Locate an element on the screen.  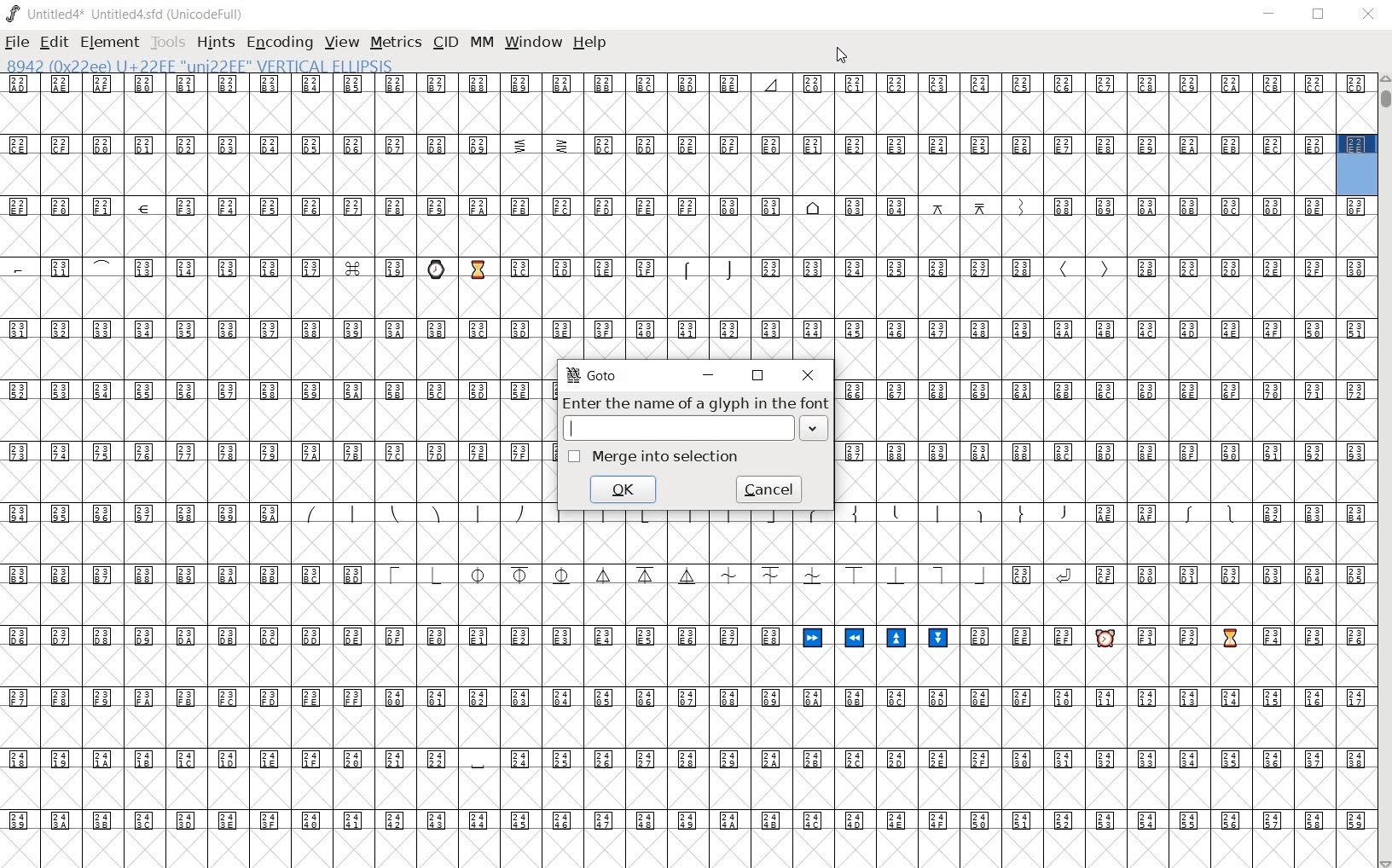
Enter the name of a glyph in the font is located at coordinates (696, 418).